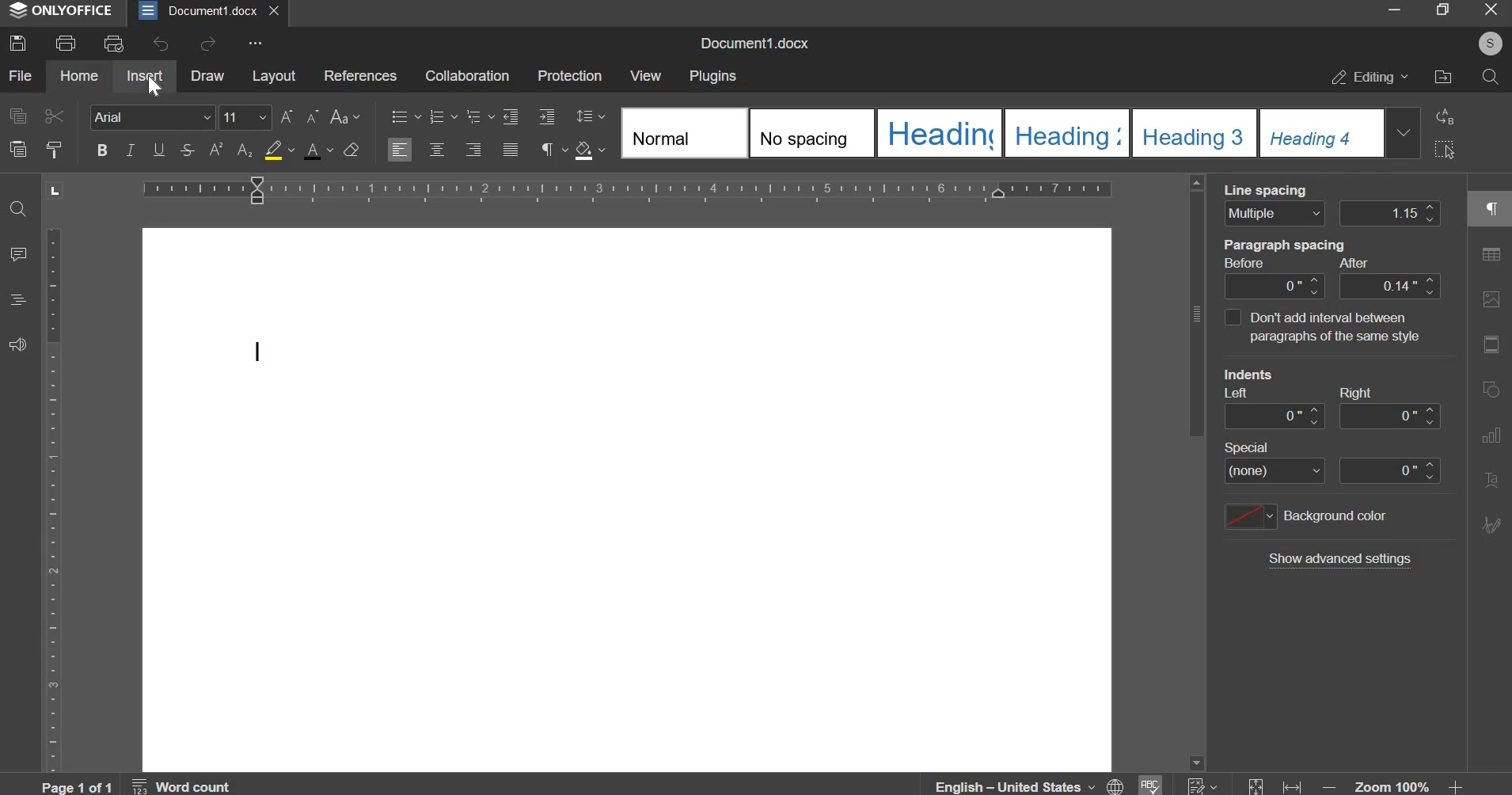 The image size is (1512, 795). I want to click on horizontal scale, so click(629, 188).